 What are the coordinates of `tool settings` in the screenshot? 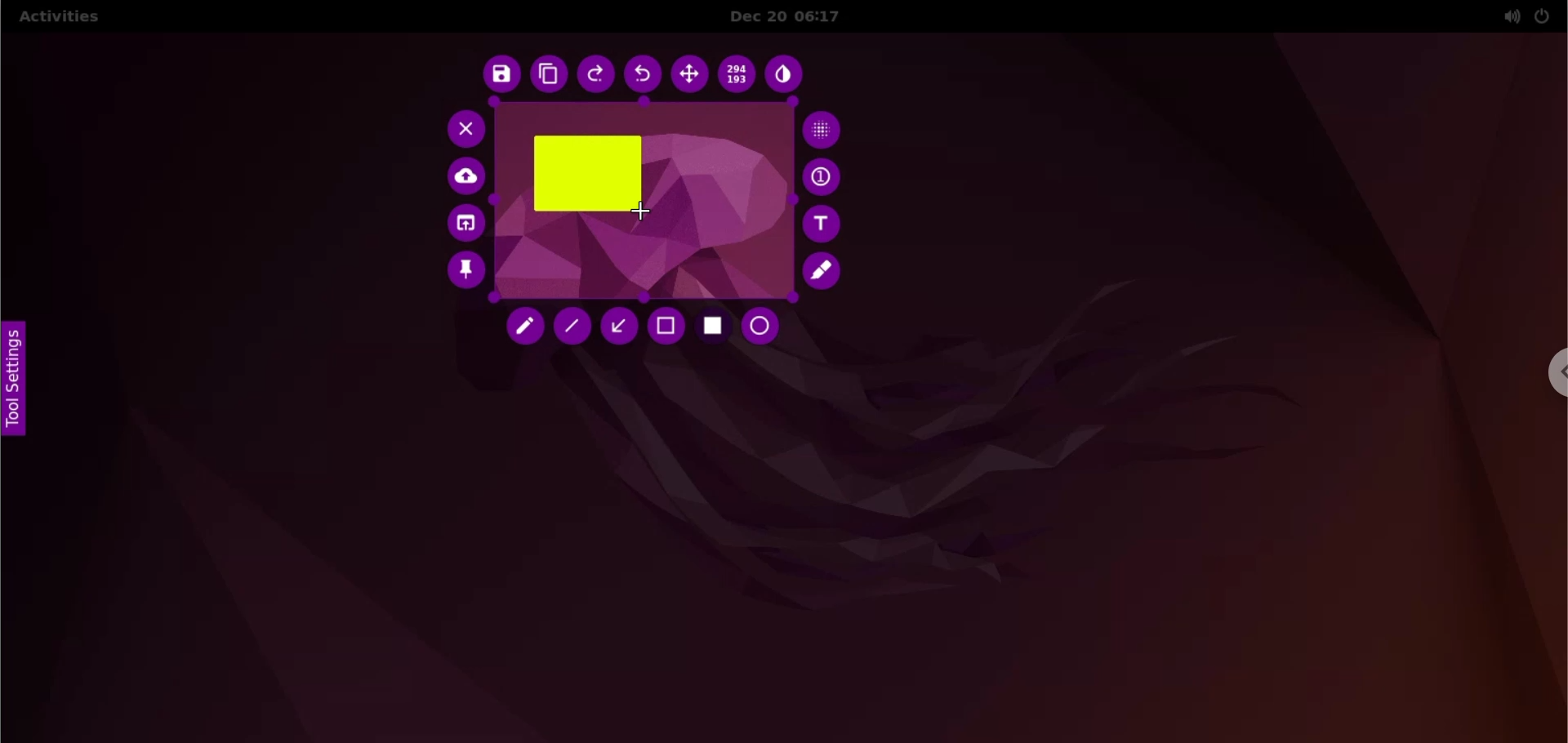 It's located at (20, 380).